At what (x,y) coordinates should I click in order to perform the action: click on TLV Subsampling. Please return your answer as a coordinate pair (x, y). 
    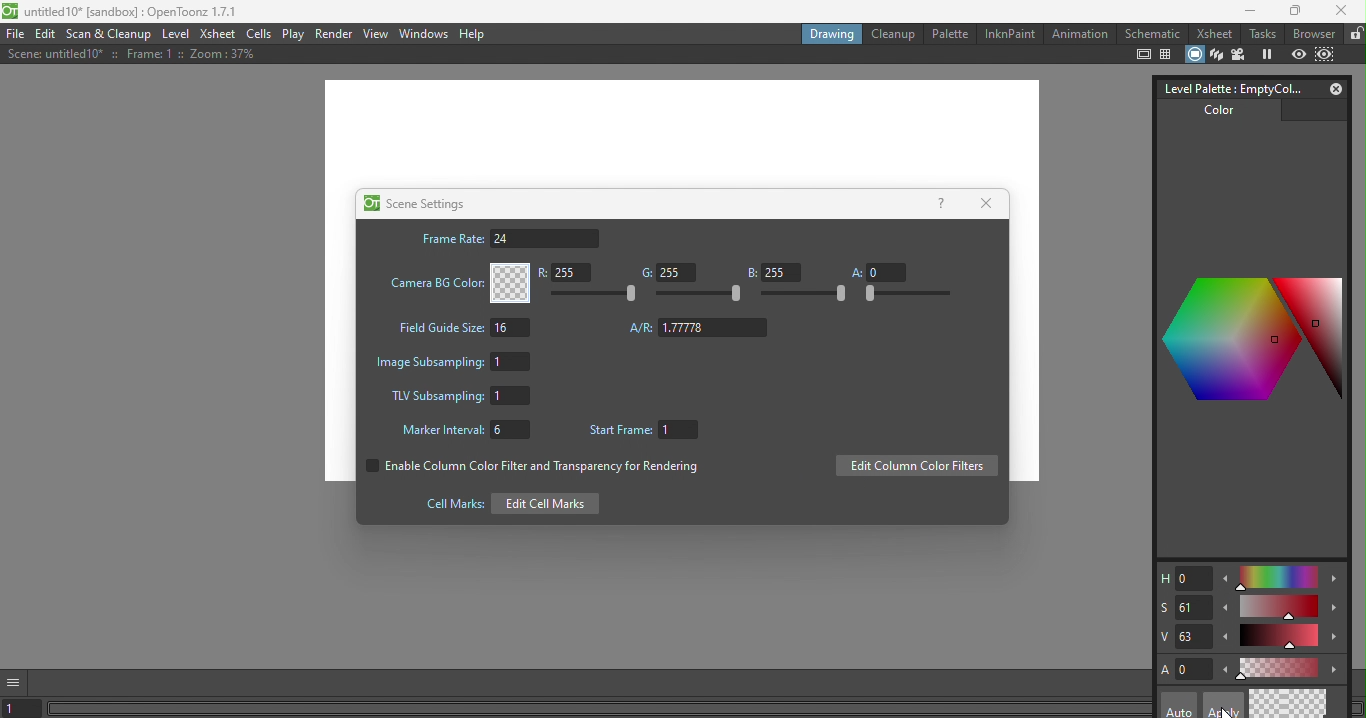
    Looking at the image, I should click on (460, 397).